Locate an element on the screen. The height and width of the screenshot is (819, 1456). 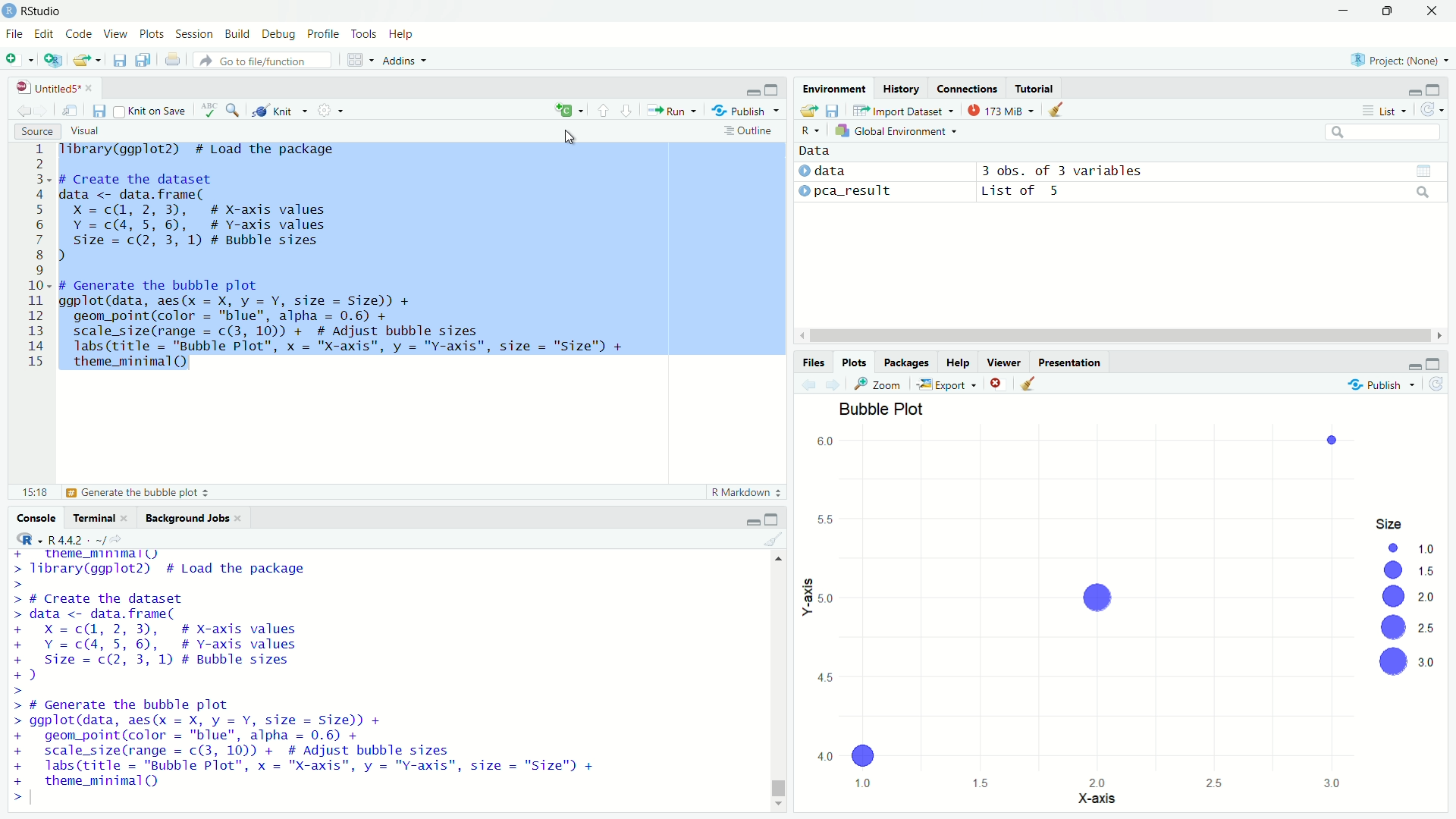
print current file is located at coordinates (173, 59).